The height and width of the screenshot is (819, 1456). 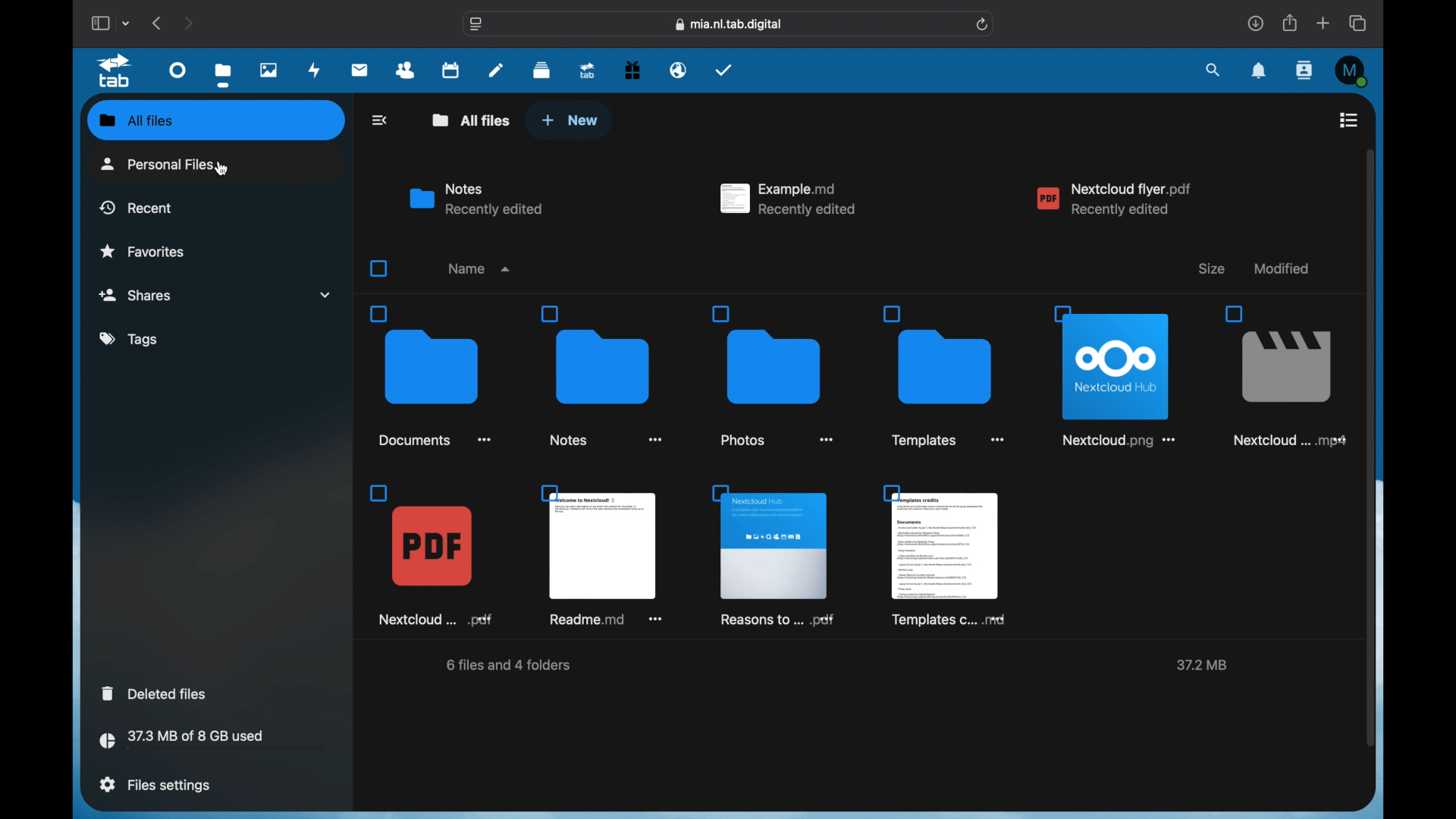 I want to click on favorites, so click(x=143, y=250).